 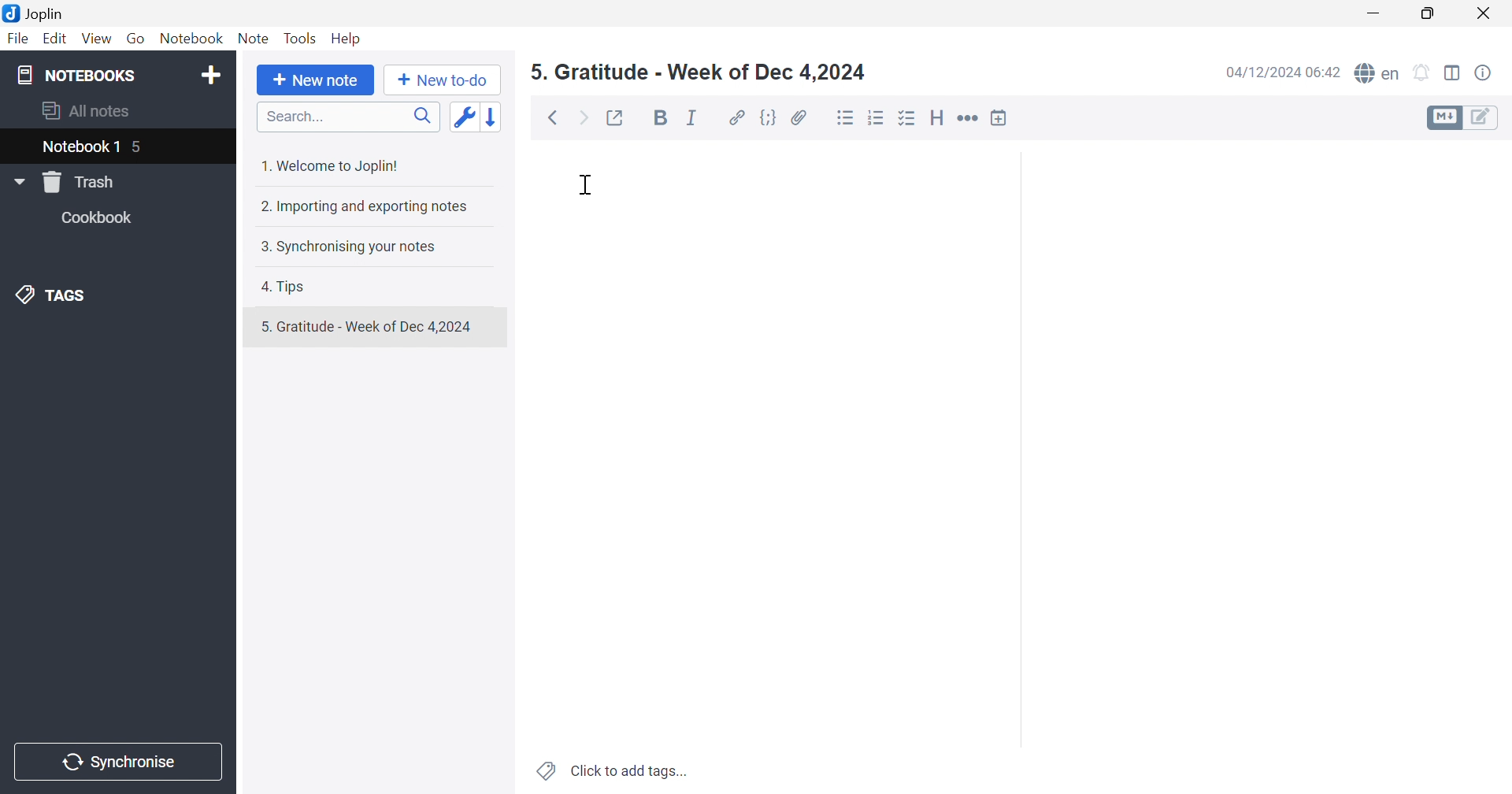 What do you see at coordinates (375, 326) in the screenshot?
I see `5. Gratitude - Week of Dec 4,2024` at bounding box center [375, 326].